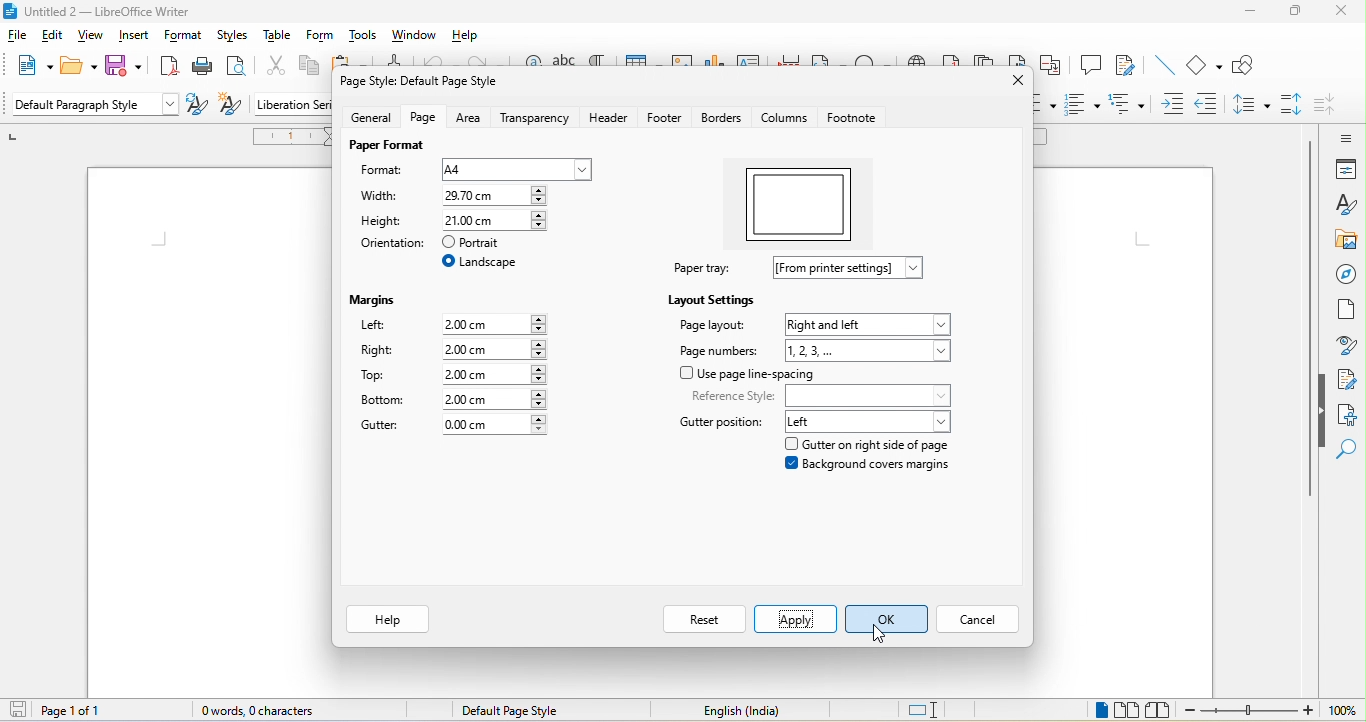  Describe the element at coordinates (30, 64) in the screenshot. I see `new` at that location.